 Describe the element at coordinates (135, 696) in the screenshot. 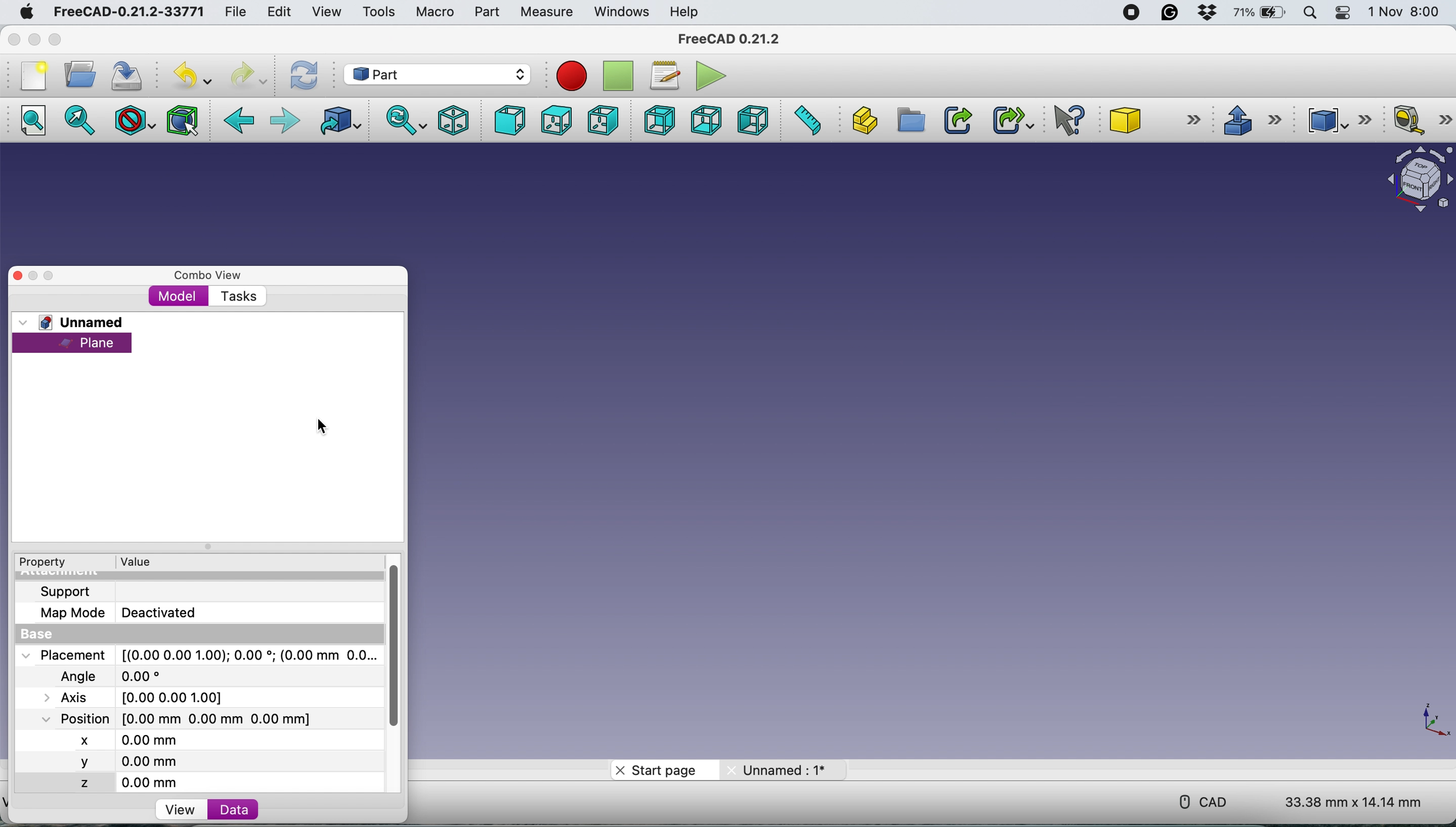

I see `Axis [0.00 0.00 1.00]` at that location.